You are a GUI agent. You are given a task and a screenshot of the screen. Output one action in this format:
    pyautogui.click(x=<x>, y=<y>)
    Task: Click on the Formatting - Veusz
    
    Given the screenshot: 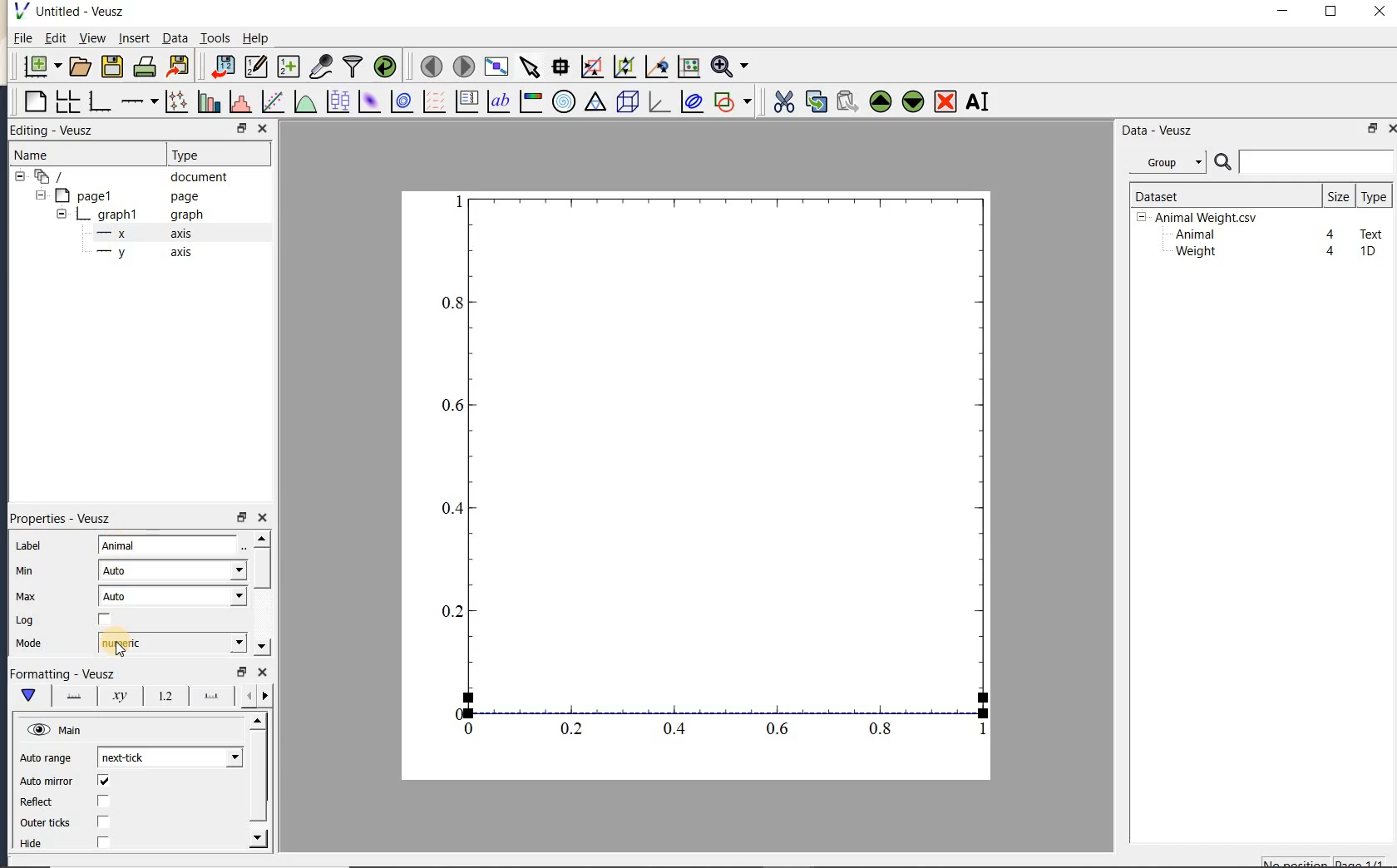 What is the action you would take?
    pyautogui.click(x=62, y=674)
    